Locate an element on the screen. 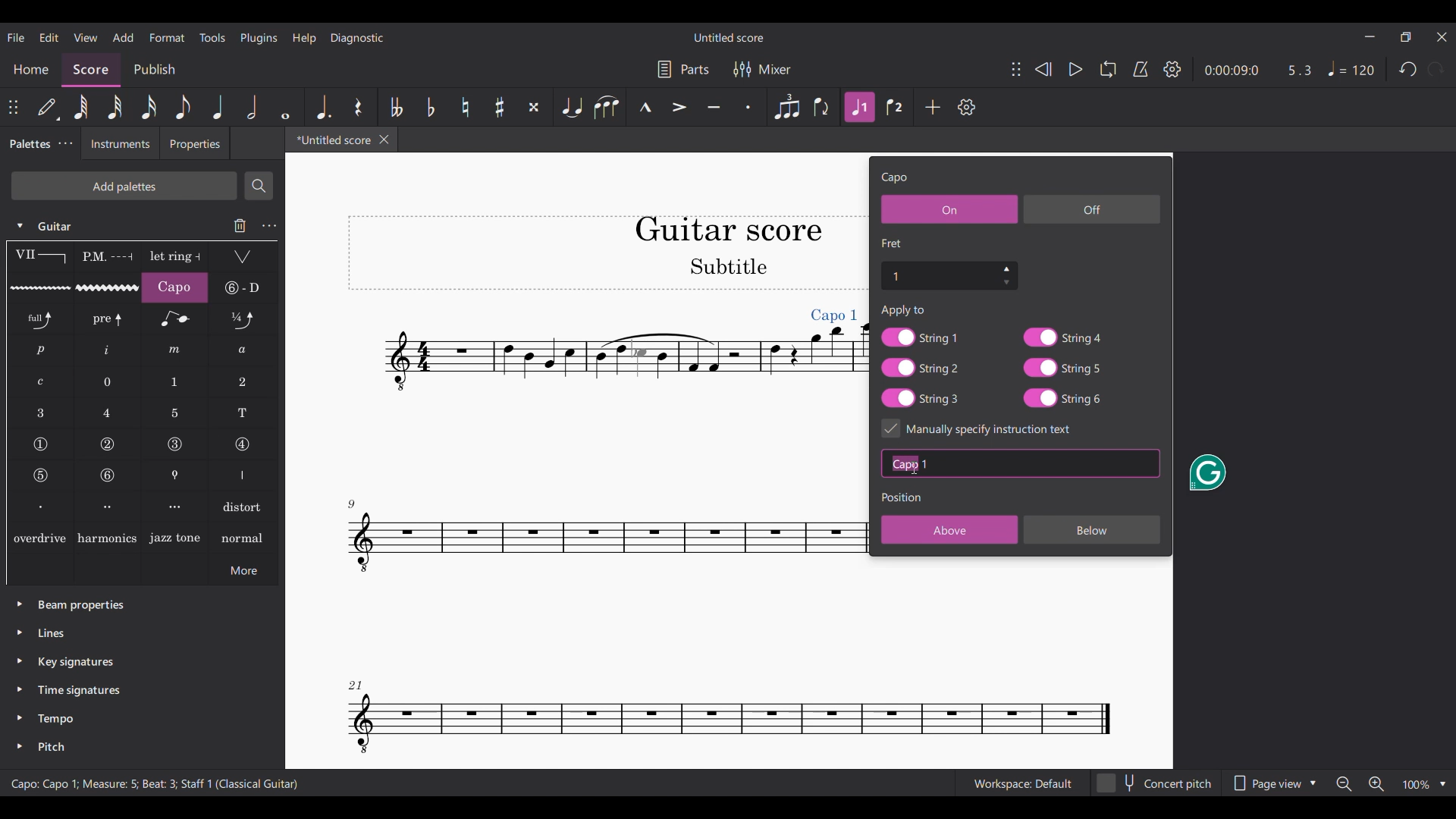  Redo is located at coordinates (1436, 69).